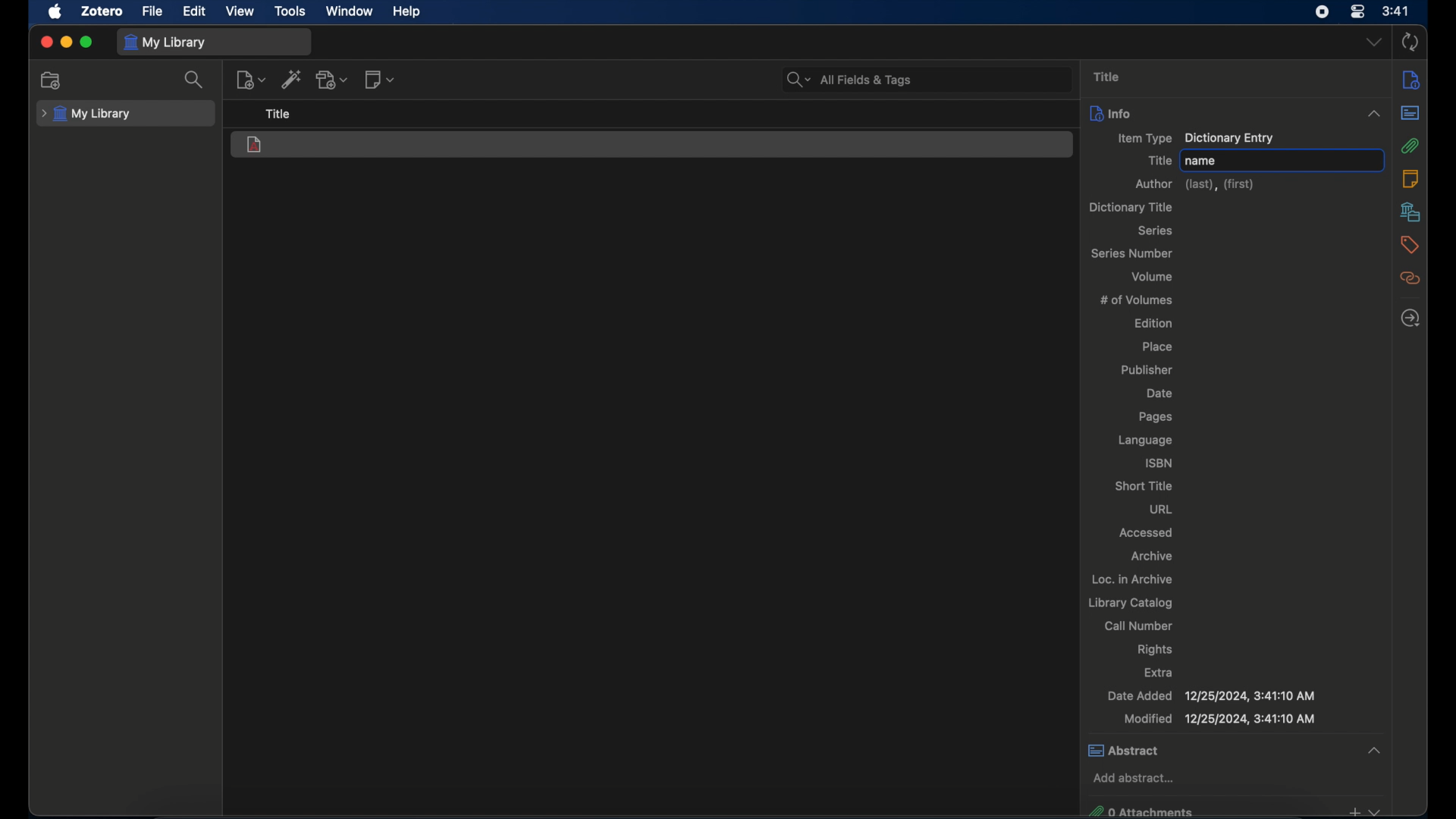 The image size is (1456, 819). I want to click on no of volumes, so click(1137, 299).